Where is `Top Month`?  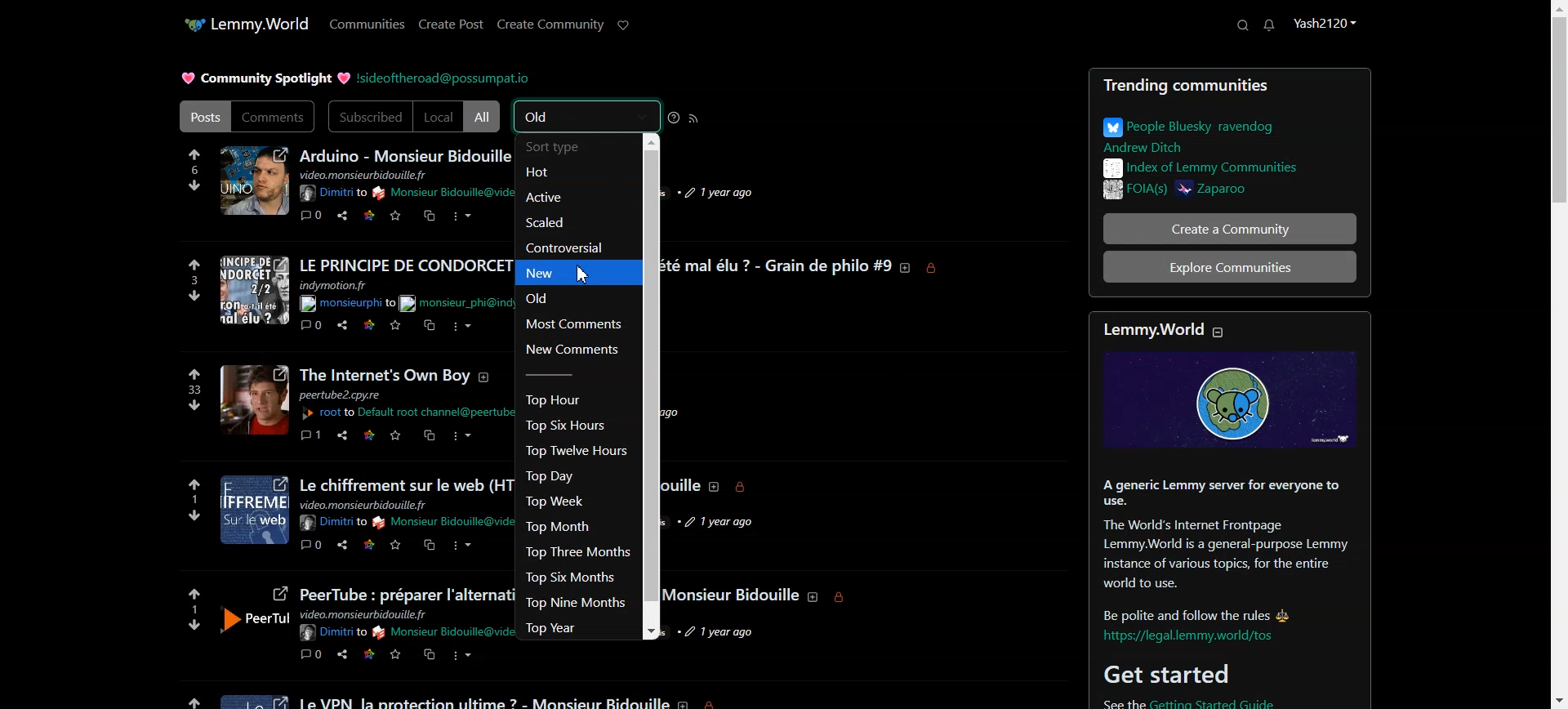
Top Month is located at coordinates (558, 525).